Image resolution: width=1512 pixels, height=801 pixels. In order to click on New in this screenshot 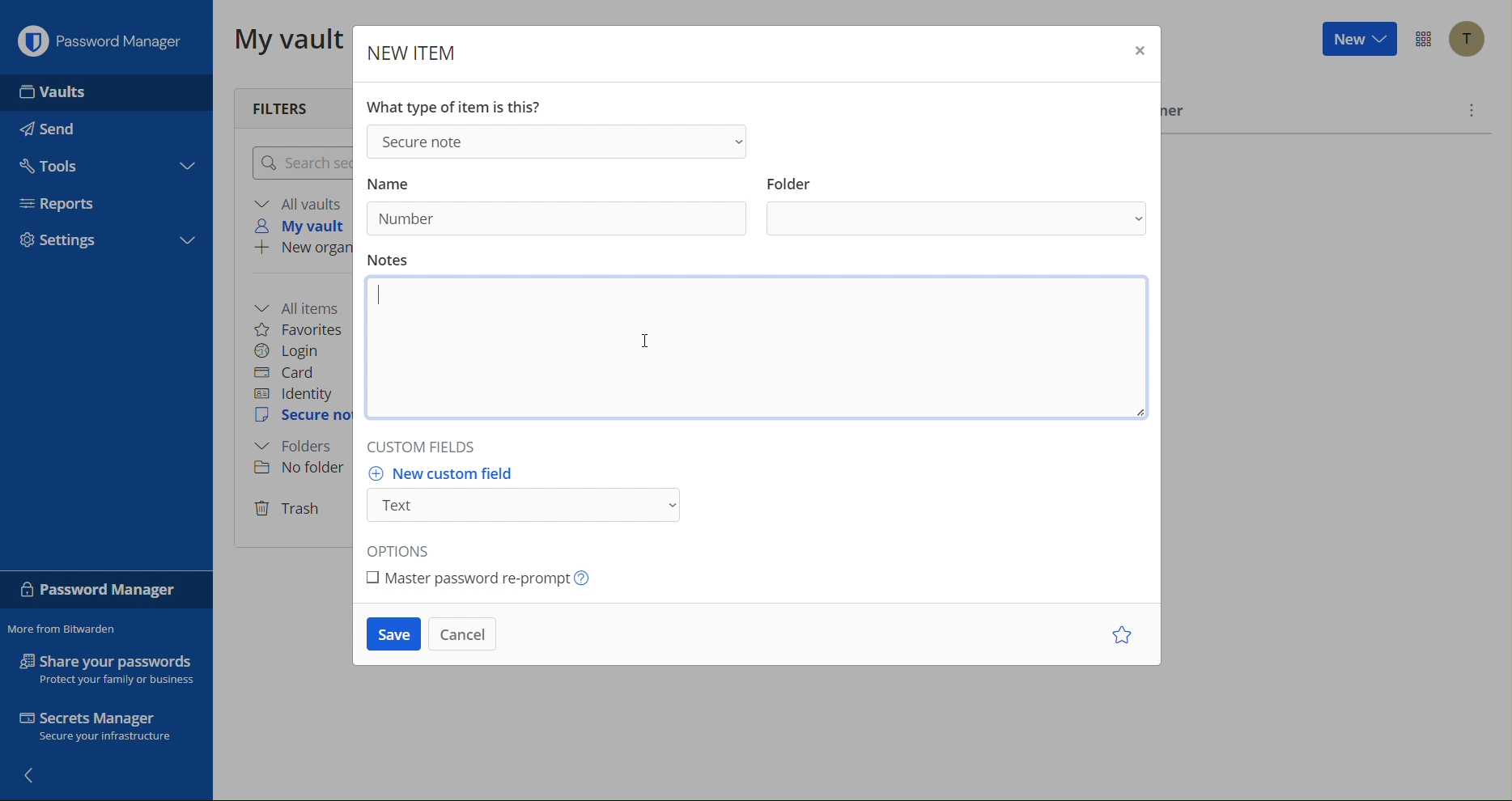, I will do `click(1357, 41)`.